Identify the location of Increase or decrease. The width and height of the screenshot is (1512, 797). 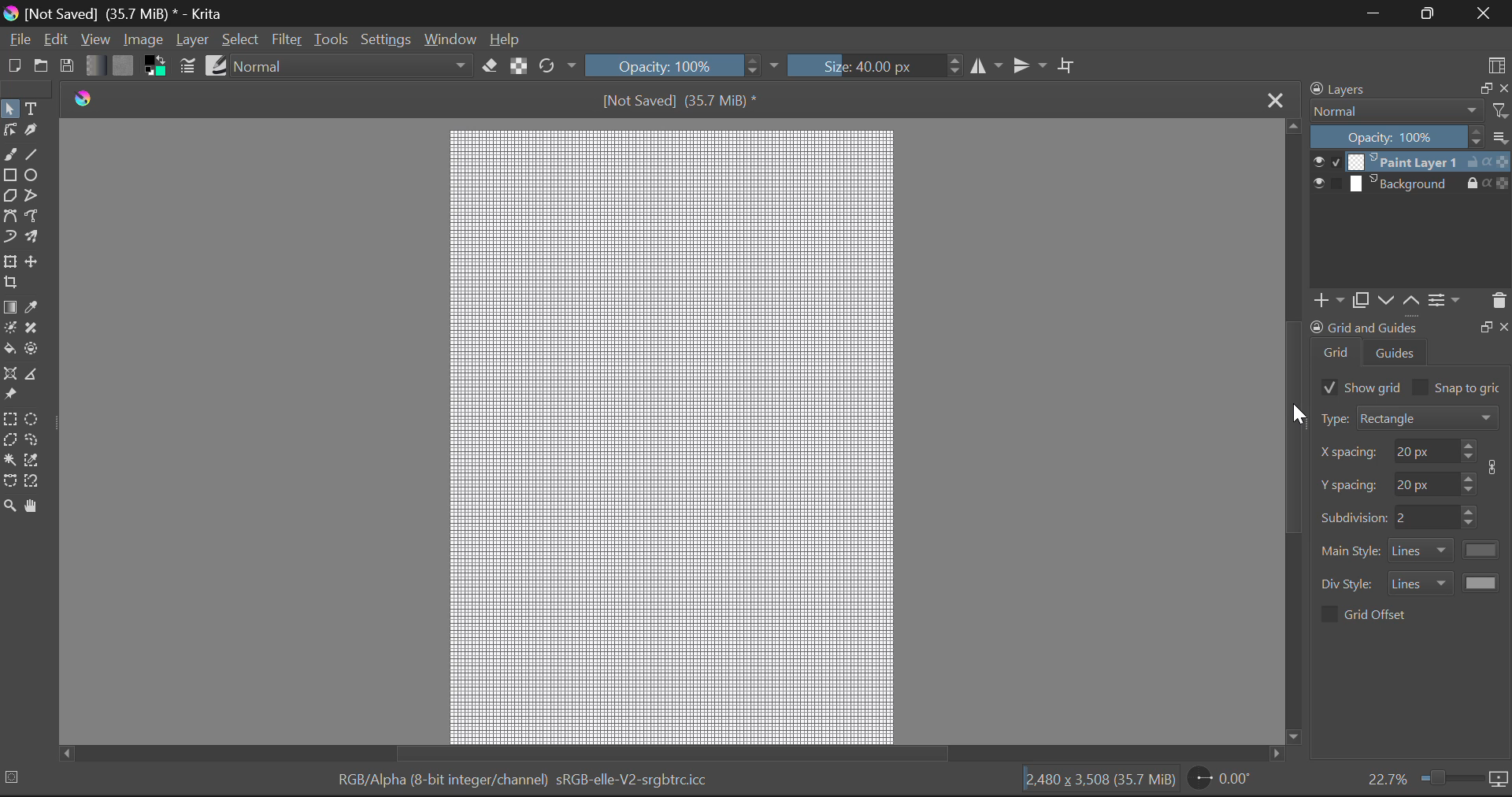
(1469, 482).